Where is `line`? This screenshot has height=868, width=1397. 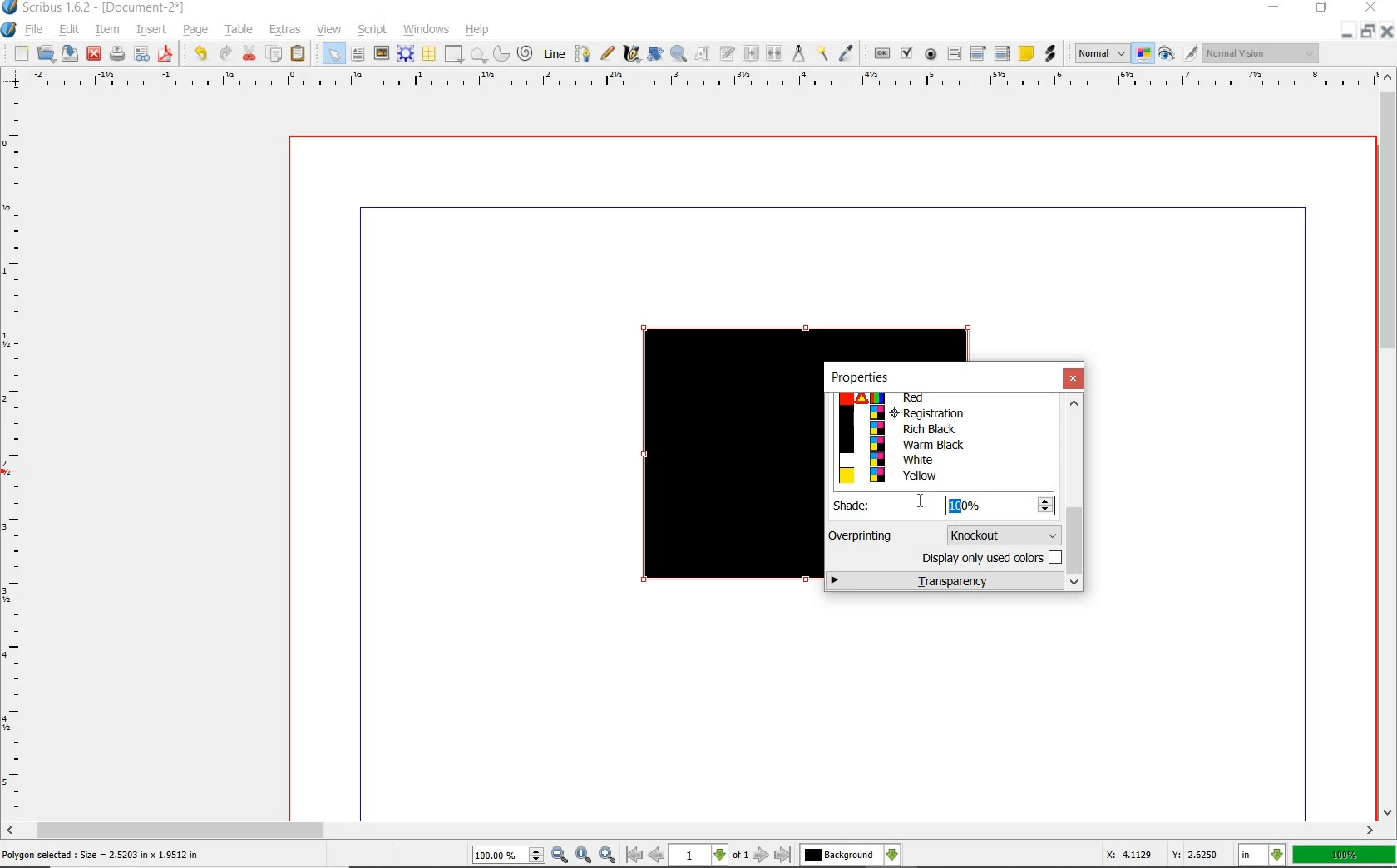
line is located at coordinates (555, 53).